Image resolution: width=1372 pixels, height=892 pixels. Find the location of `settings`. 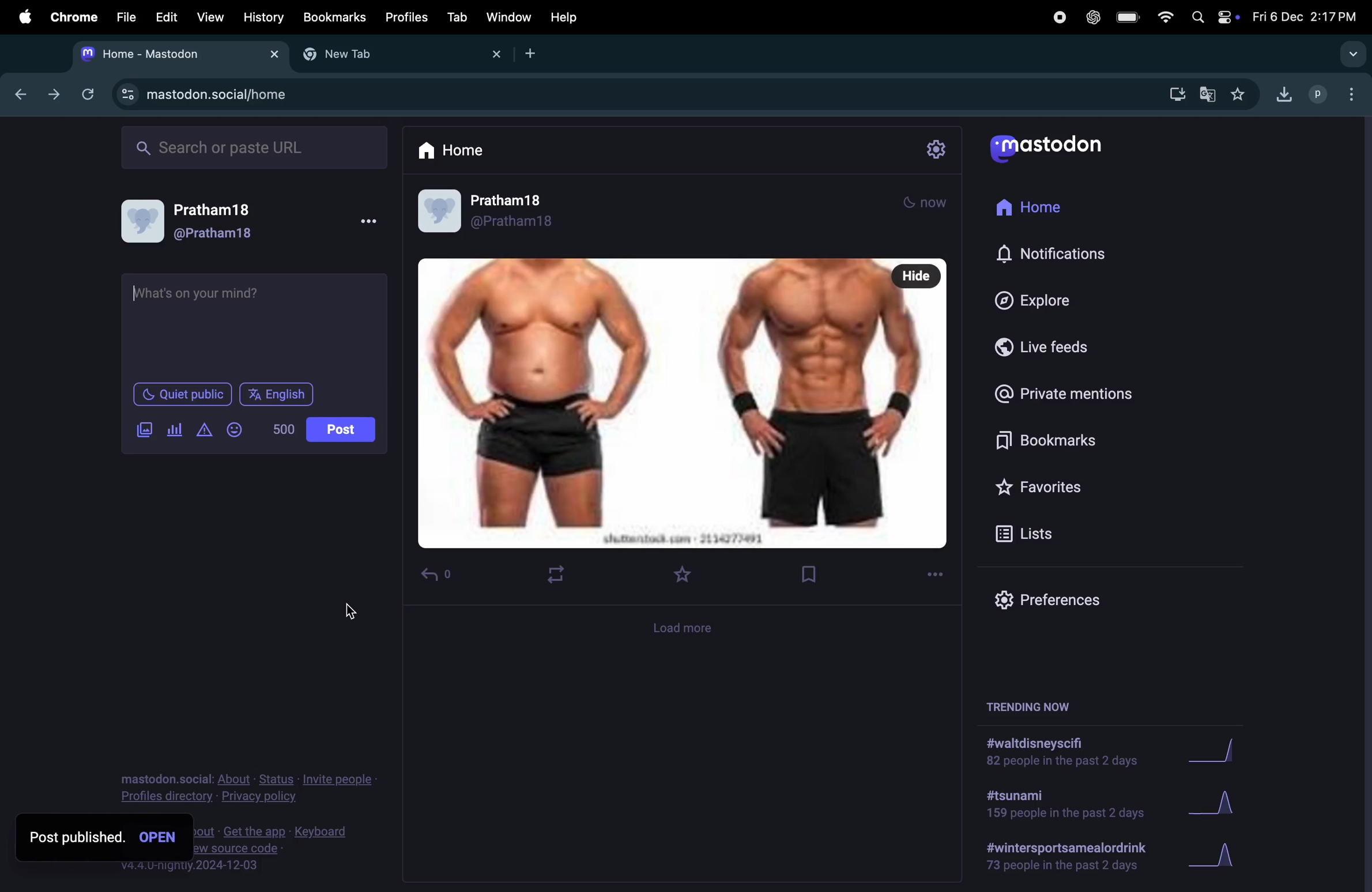

settings is located at coordinates (937, 149).